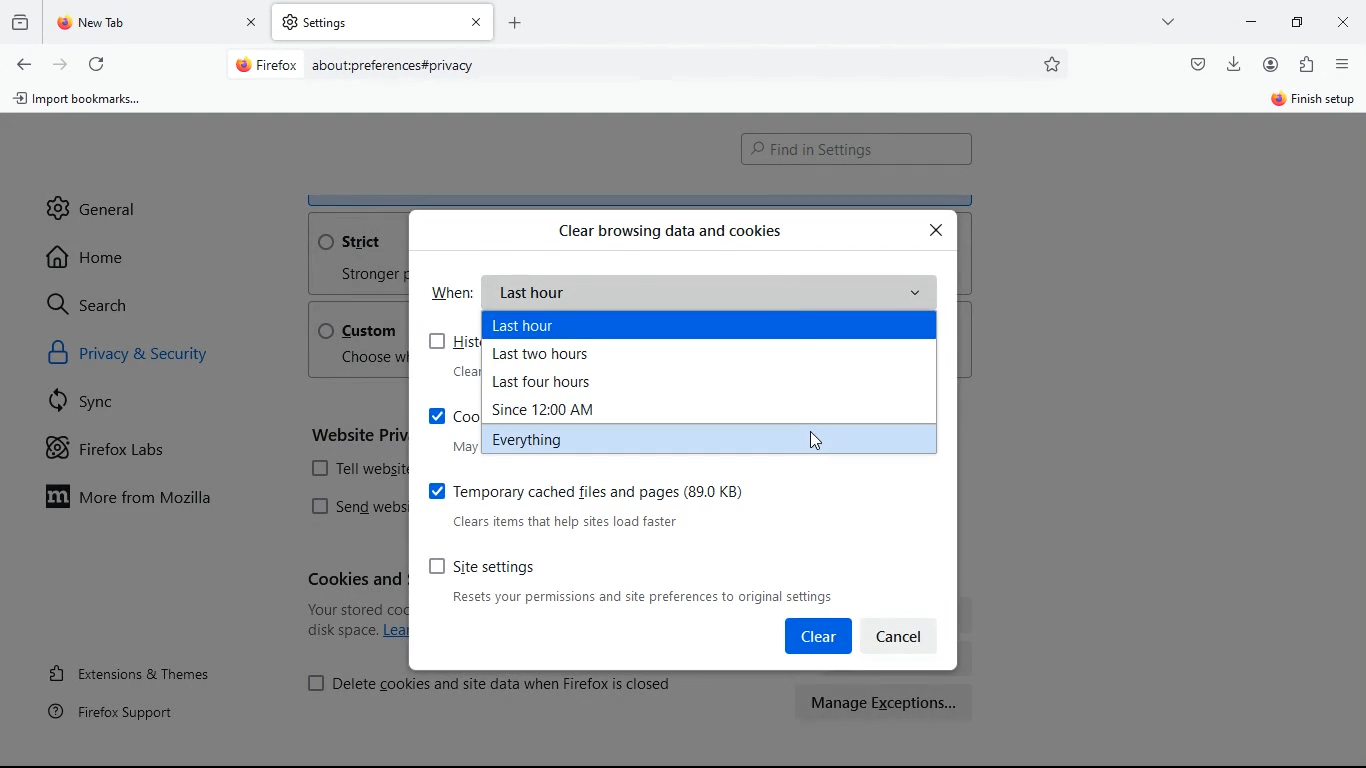  What do you see at coordinates (1275, 64) in the screenshot?
I see `profile` at bounding box center [1275, 64].